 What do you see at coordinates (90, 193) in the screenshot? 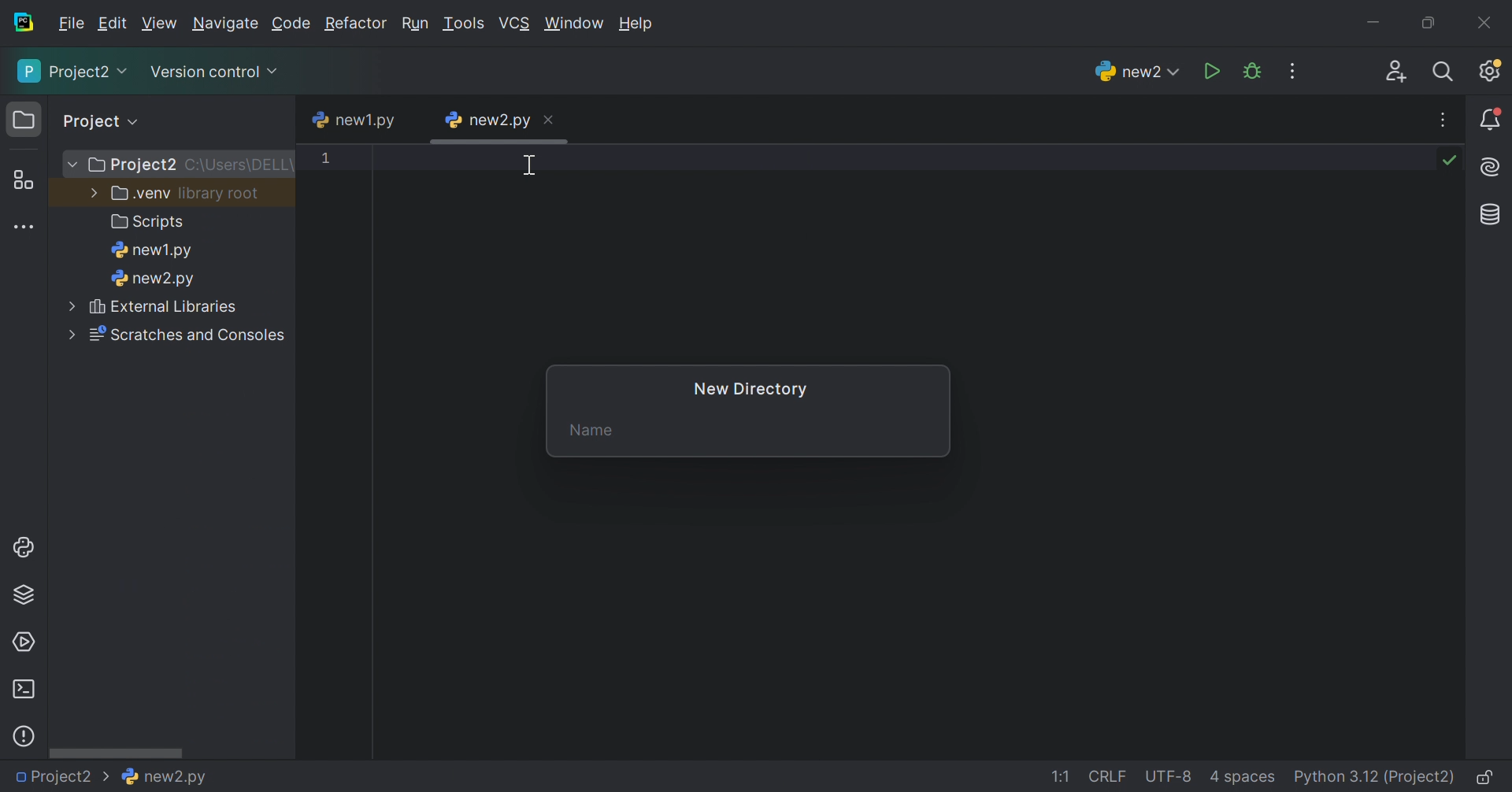
I see `More` at bounding box center [90, 193].